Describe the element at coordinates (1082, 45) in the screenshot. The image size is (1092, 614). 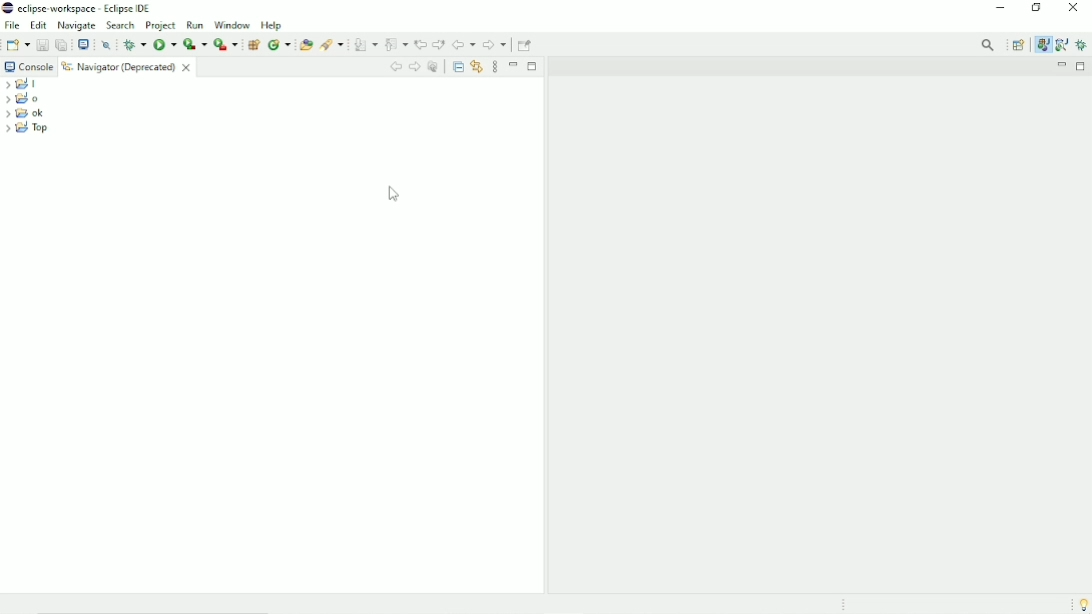
I see `Debug` at that location.